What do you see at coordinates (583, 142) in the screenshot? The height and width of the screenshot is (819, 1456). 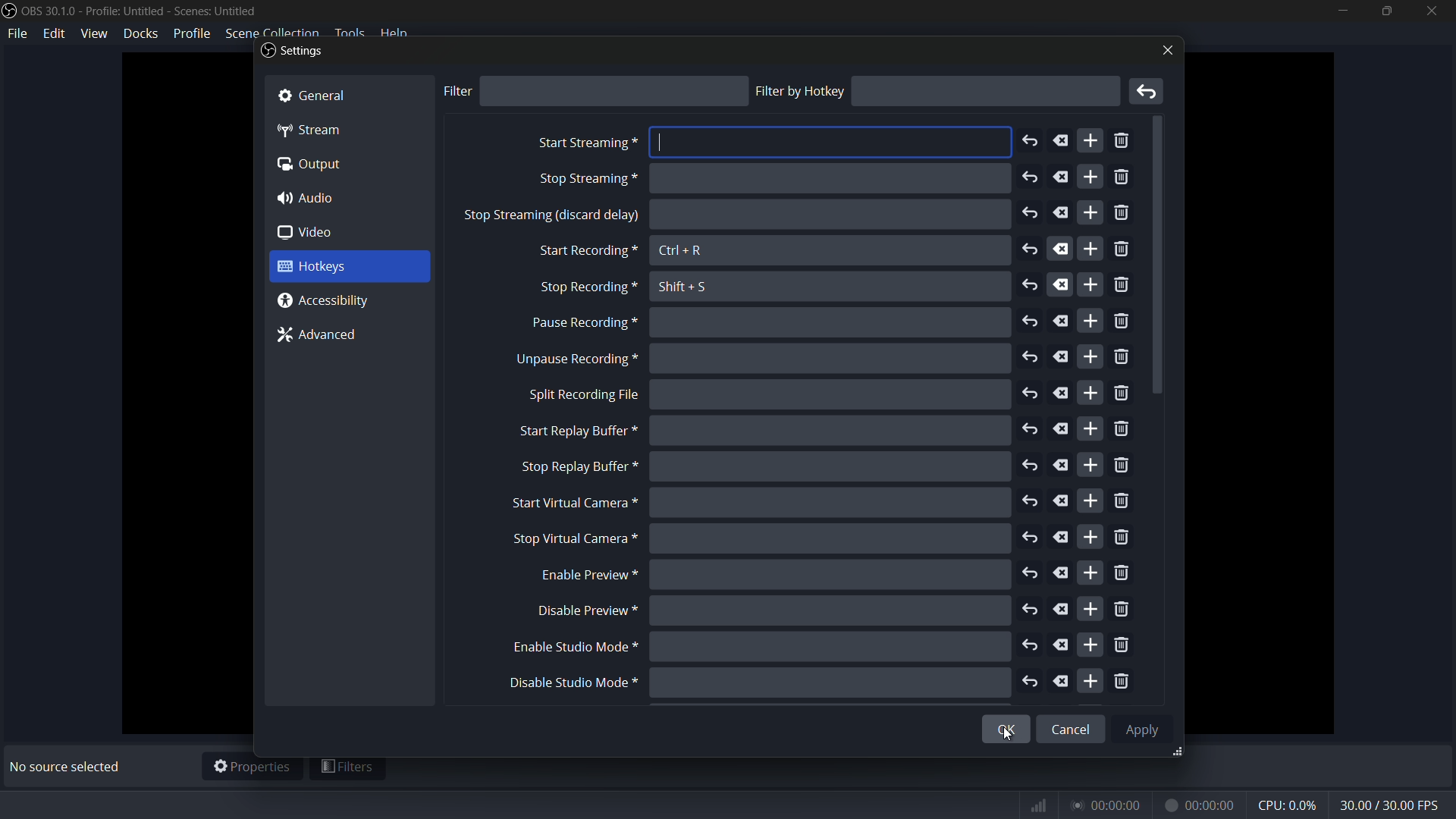 I see `start streaming` at bounding box center [583, 142].